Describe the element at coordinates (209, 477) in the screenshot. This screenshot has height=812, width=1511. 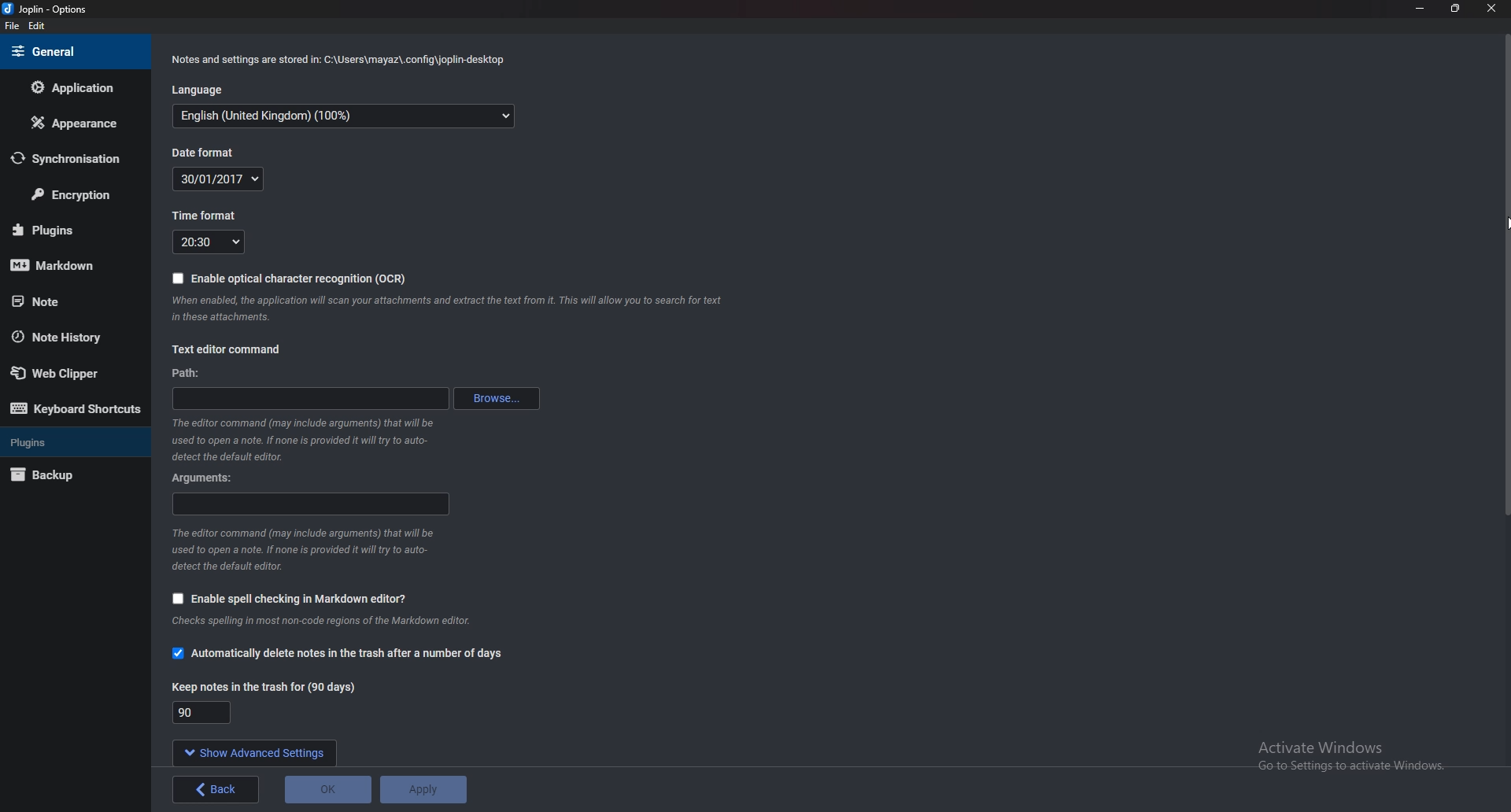
I see `Arguments` at that location.